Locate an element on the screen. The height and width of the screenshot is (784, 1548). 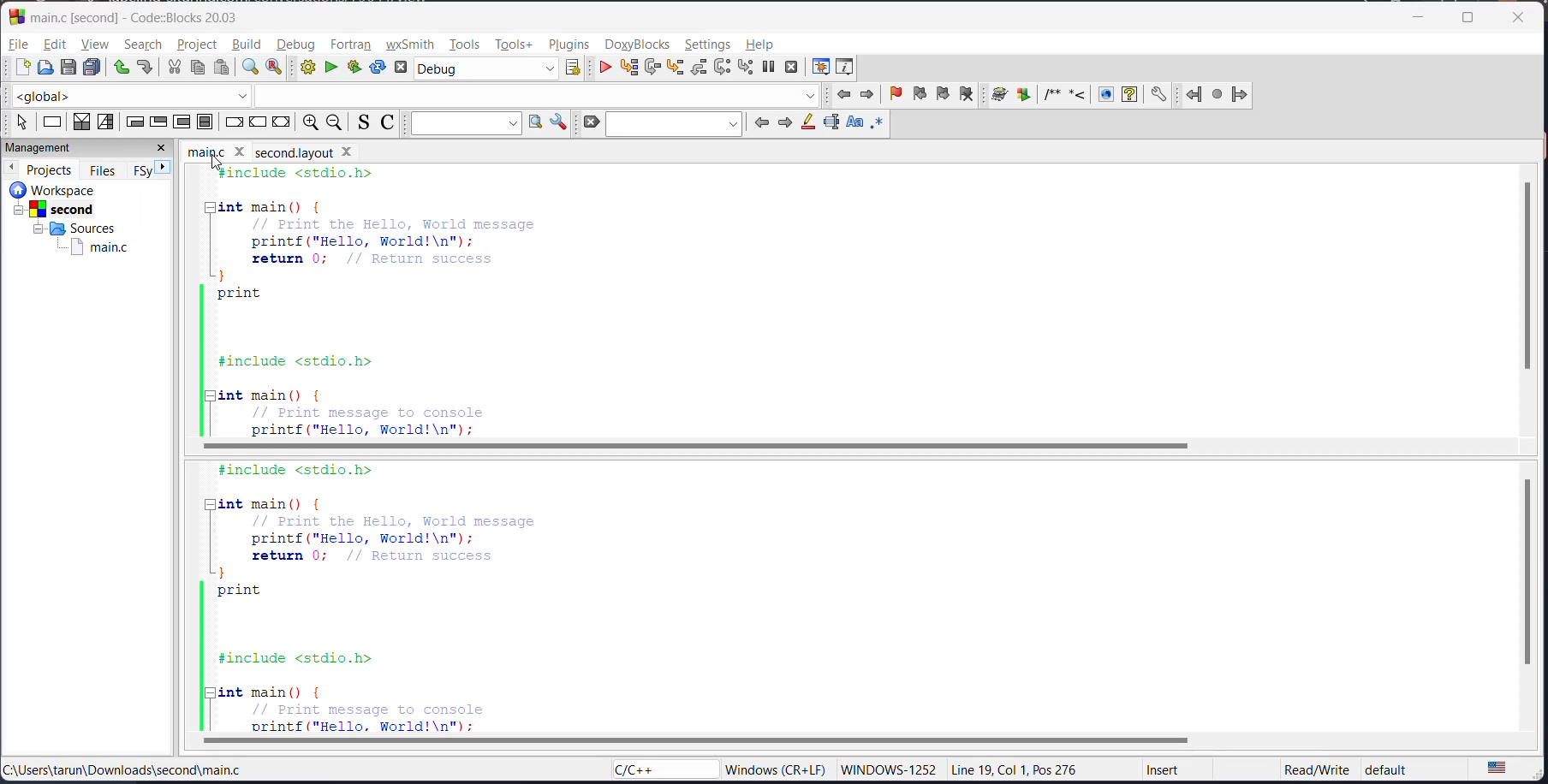
replace is located at coordinates (277, 68).